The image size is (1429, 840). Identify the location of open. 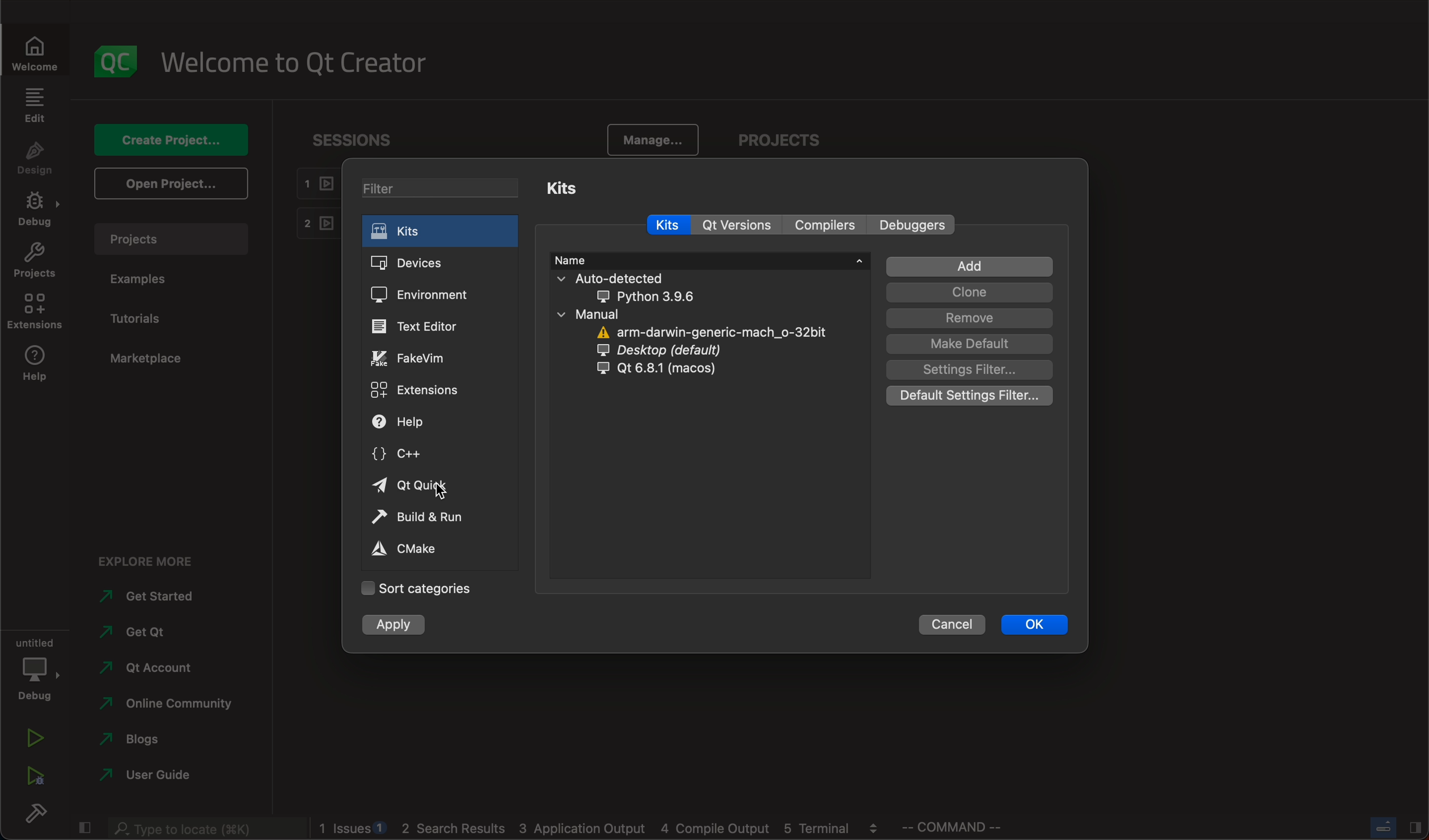
(170, 184).